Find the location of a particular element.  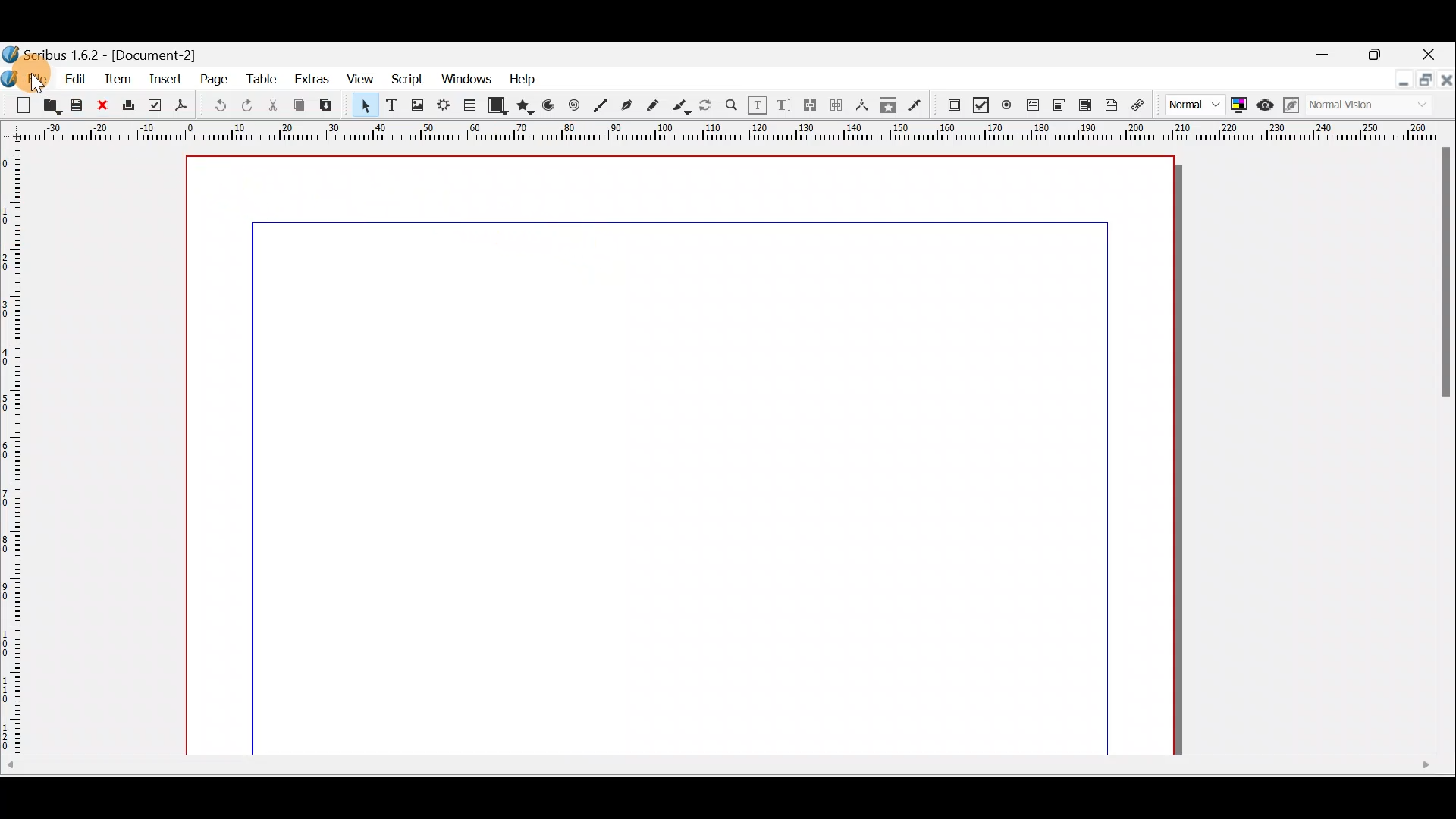

Close is located at coordinates (103, 106).